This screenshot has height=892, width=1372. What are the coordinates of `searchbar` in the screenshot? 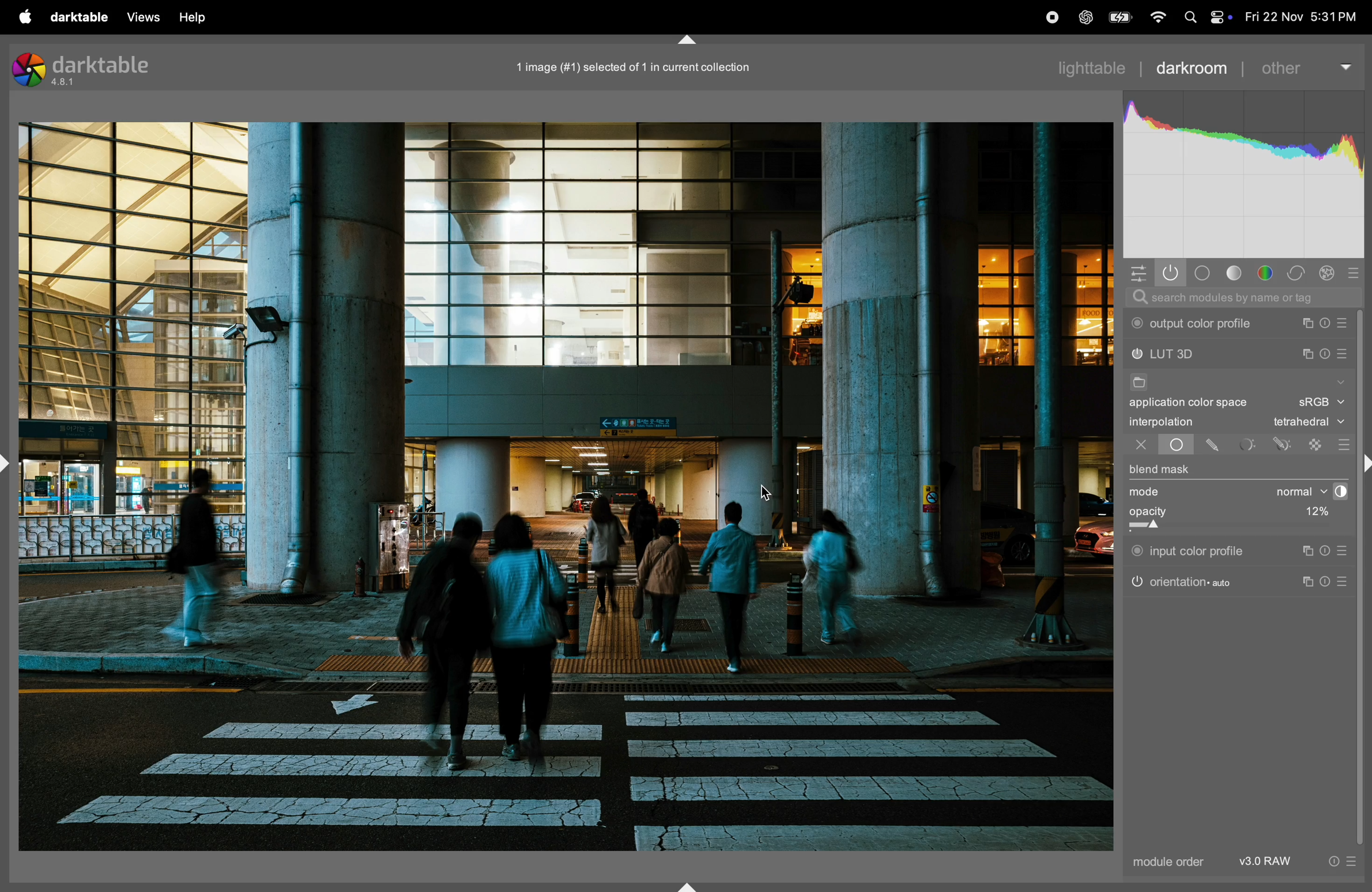 It's located at (1242, 298).